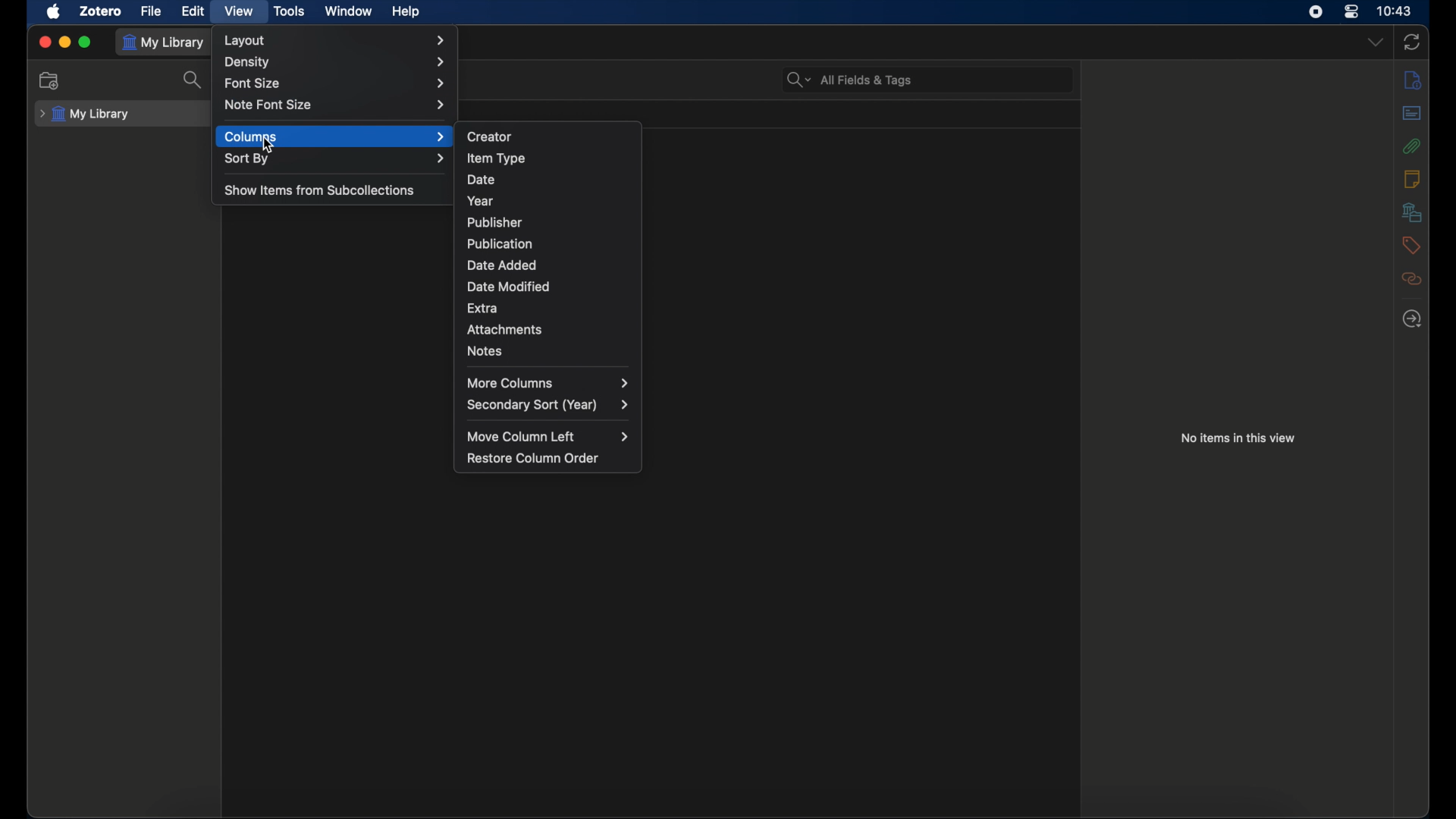 The width and height of the screenshot is (1456, 819). What do you see at coordinates (1411, 244) in the screenshot?
I see `tags` at bounding box center [1411, 244].